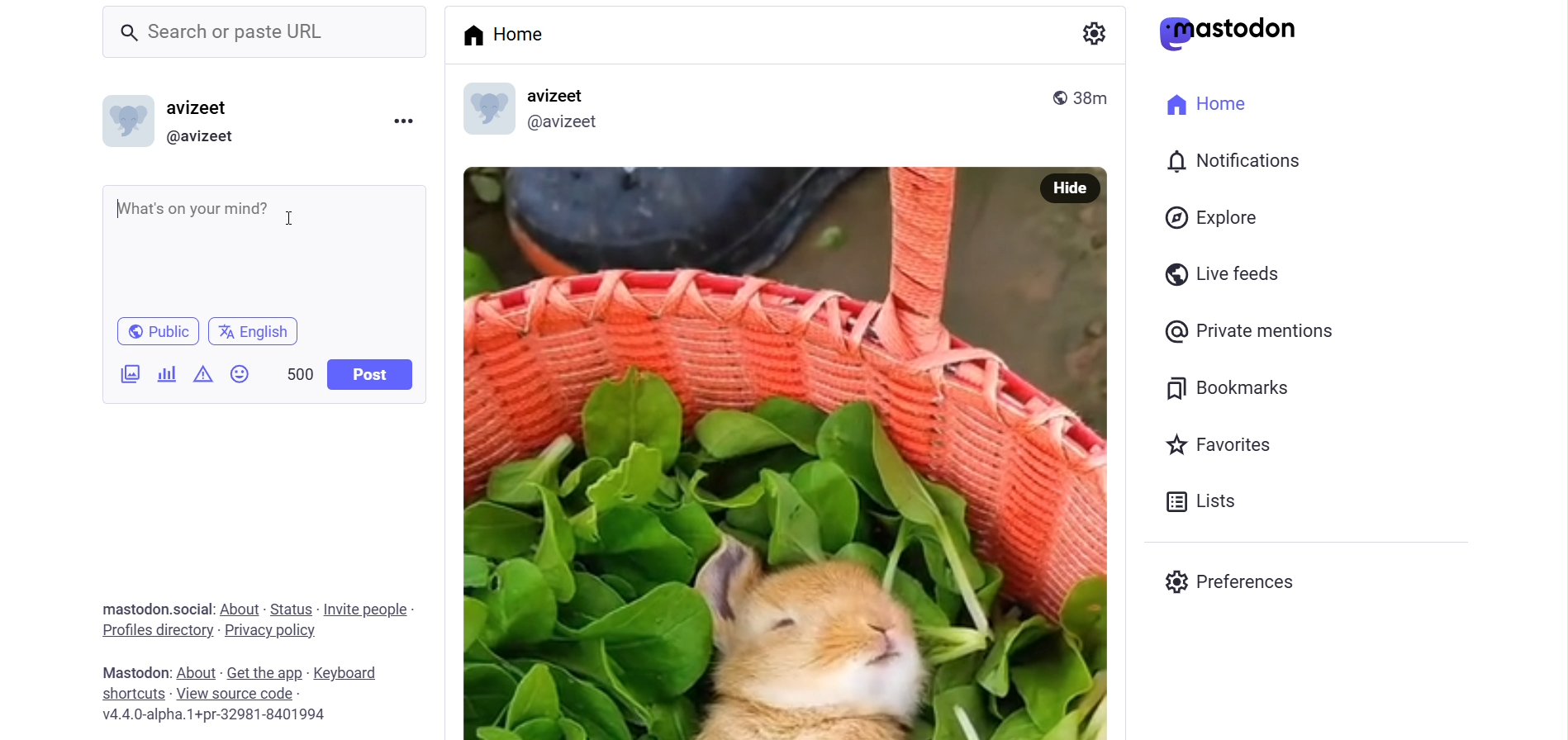  What do you see at coordinates (265, 673) in the screenshot?
I see `Get the App` at bounding box center [265, 673].